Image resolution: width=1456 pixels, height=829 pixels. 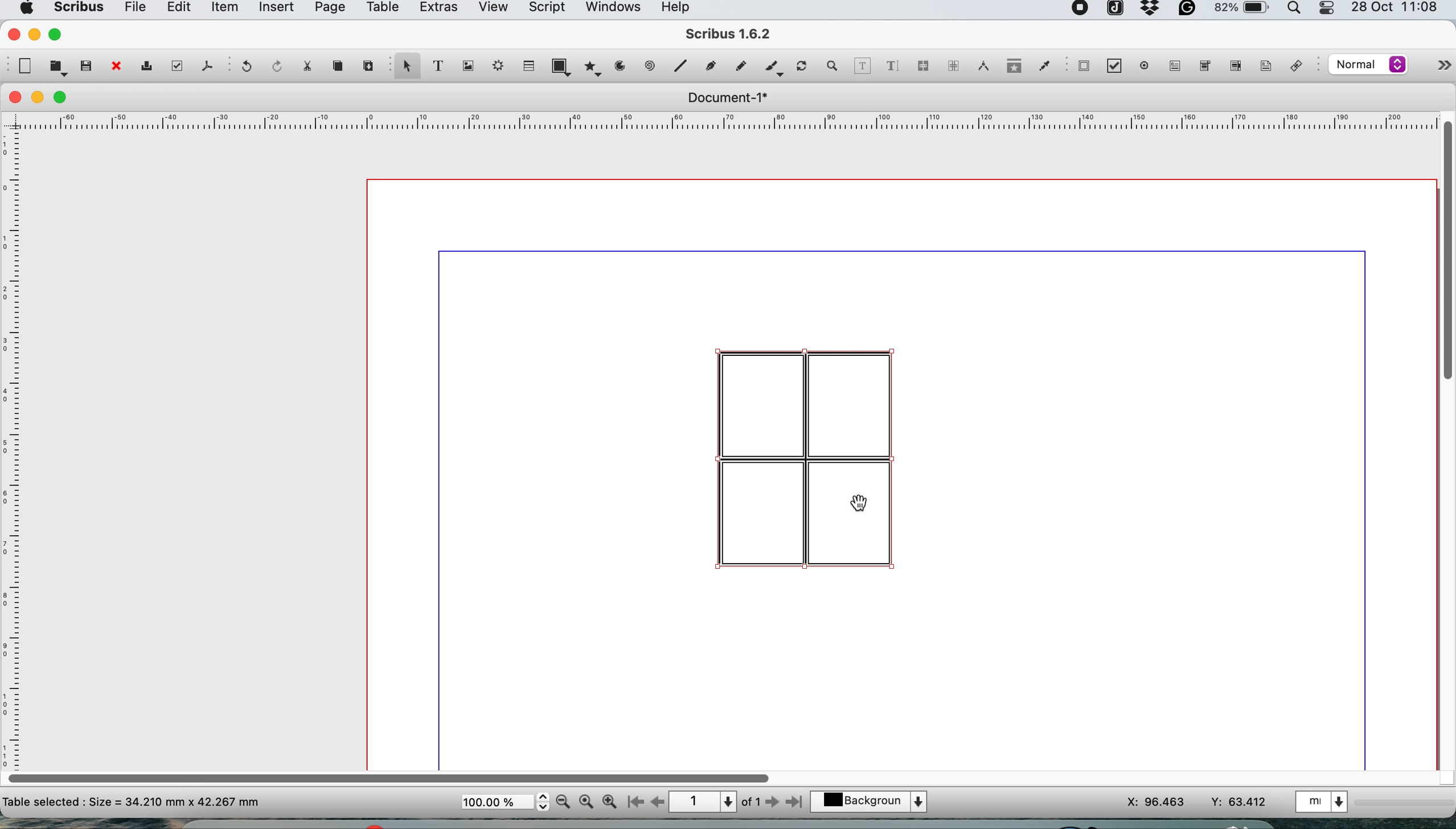 What do you see at coordinates (1324, 801) in the screenshot?
I see `select the current unit` at bounding box center [1324, 801].